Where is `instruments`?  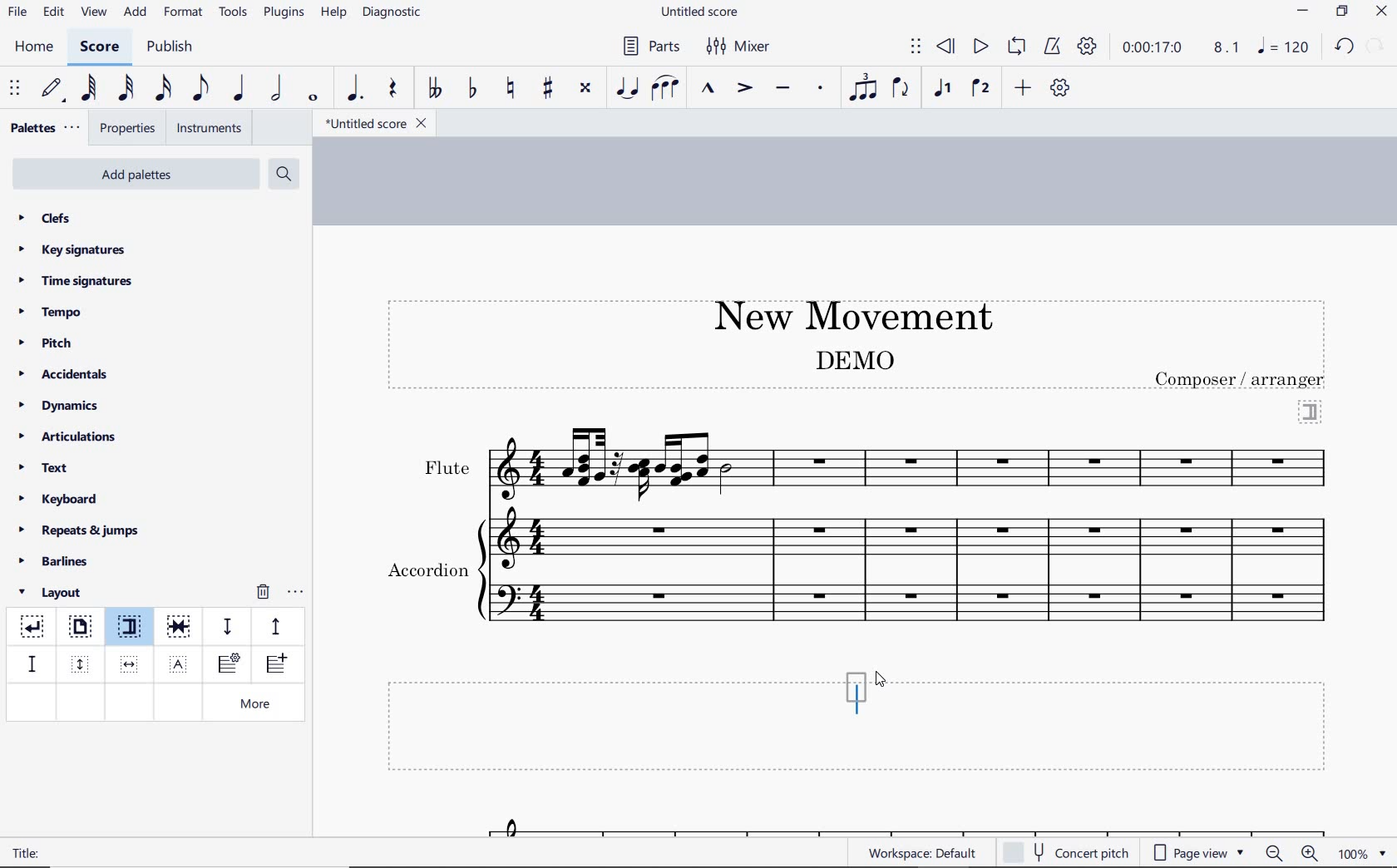
instruments is located at coordinates (206, 129).